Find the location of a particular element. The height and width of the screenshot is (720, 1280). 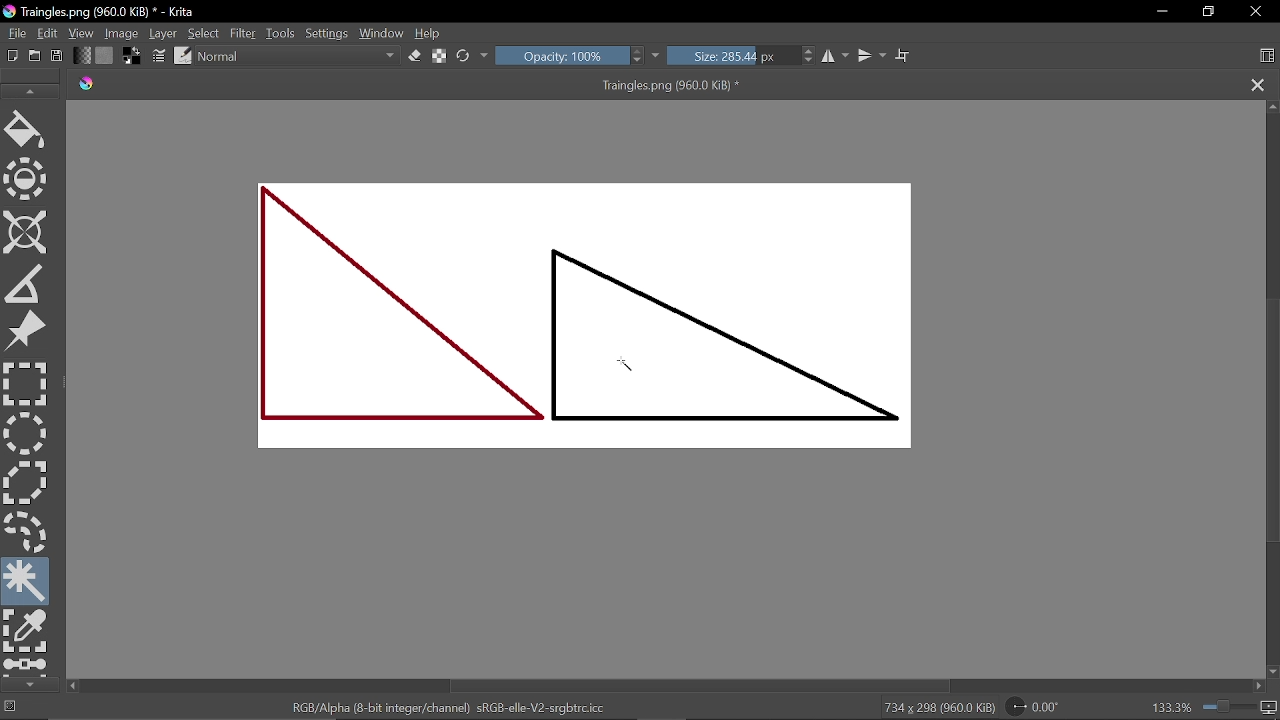

Assistant tool is located at coordinates (25, 234).